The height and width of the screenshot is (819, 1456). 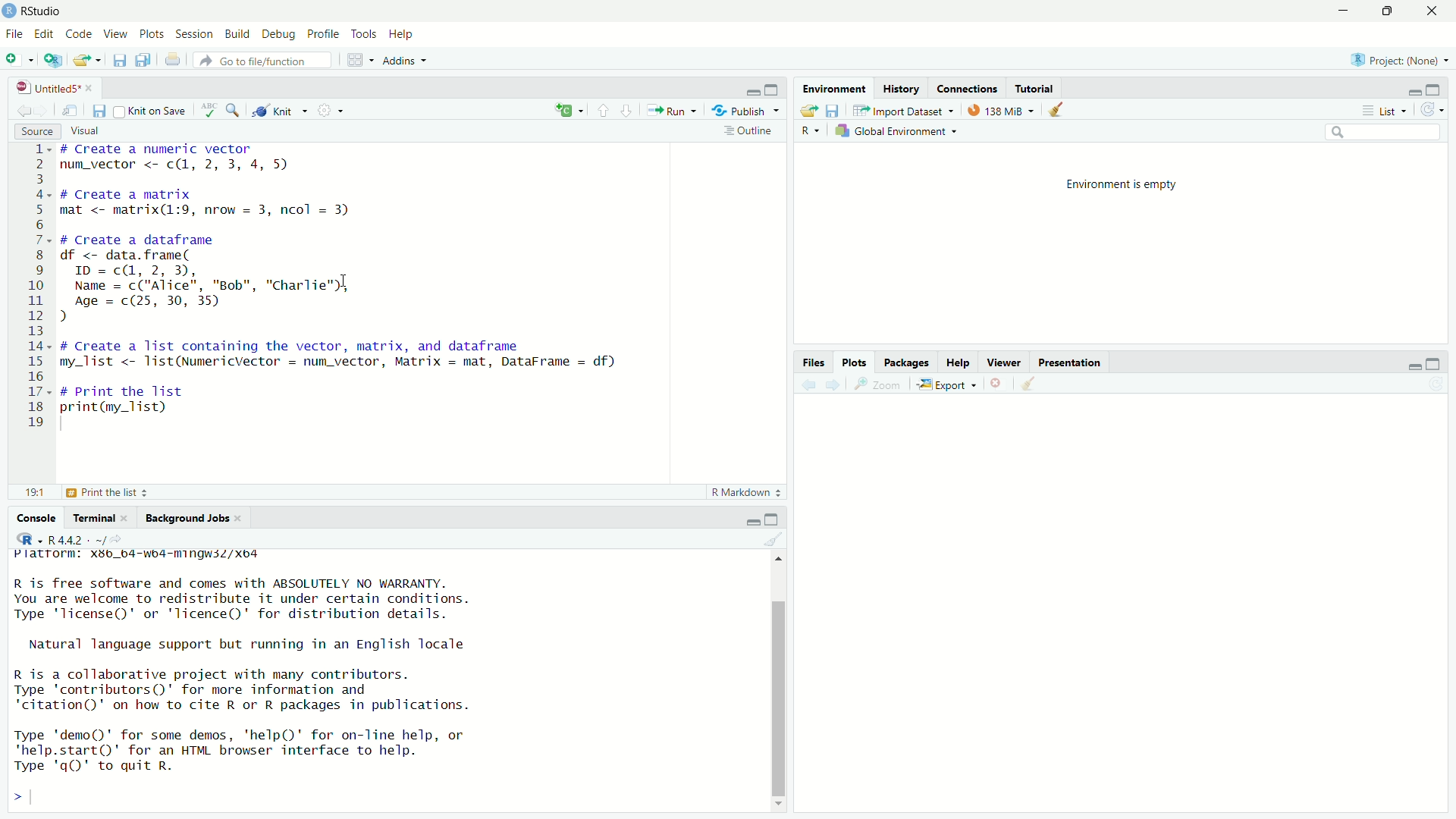 What do you see at coordinates (835, 88) in the screenshot?
I see `Environment` at bounding box center [835, 88].